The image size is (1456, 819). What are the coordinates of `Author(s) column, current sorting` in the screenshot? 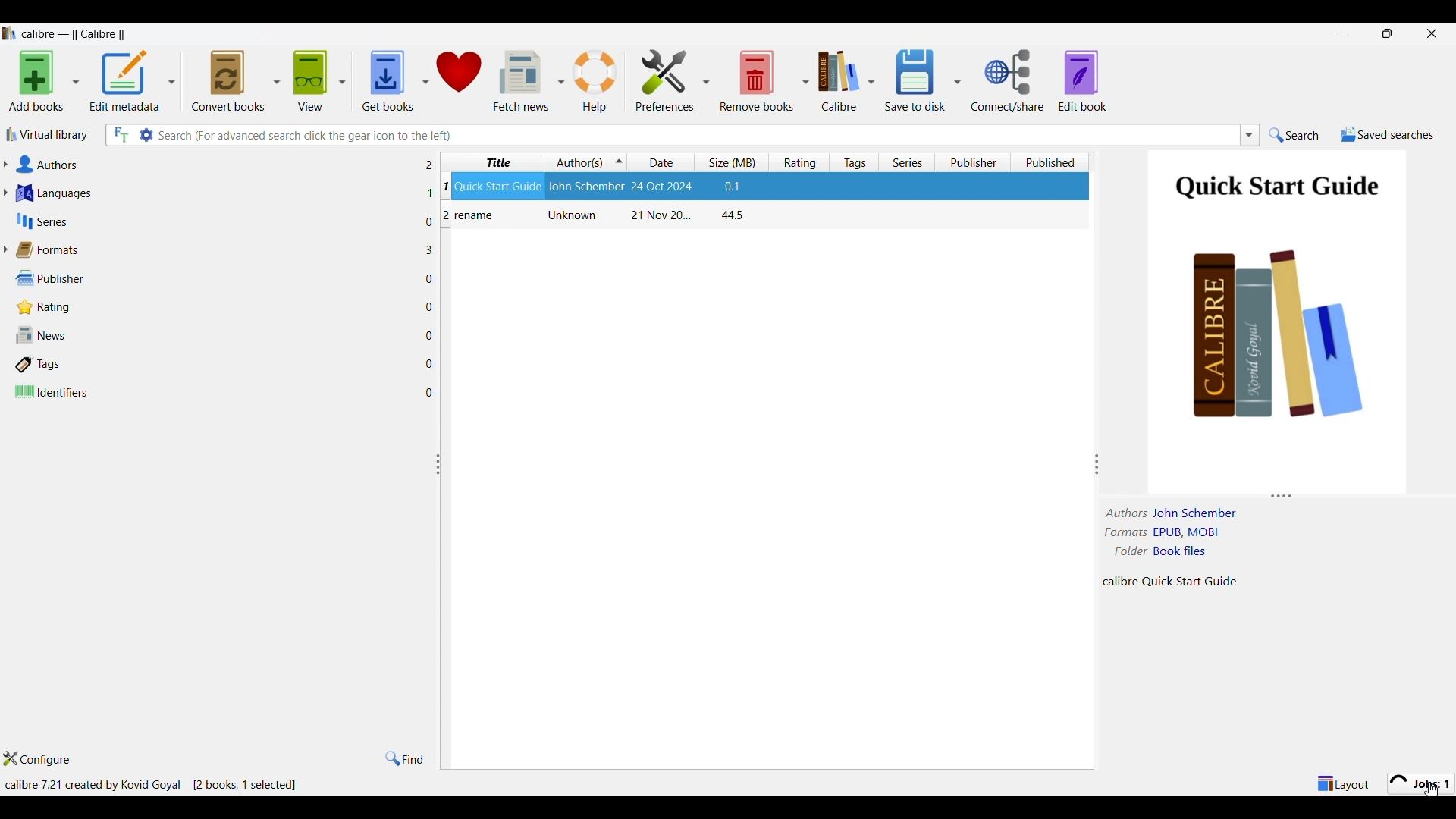 It's located at (585, 162).